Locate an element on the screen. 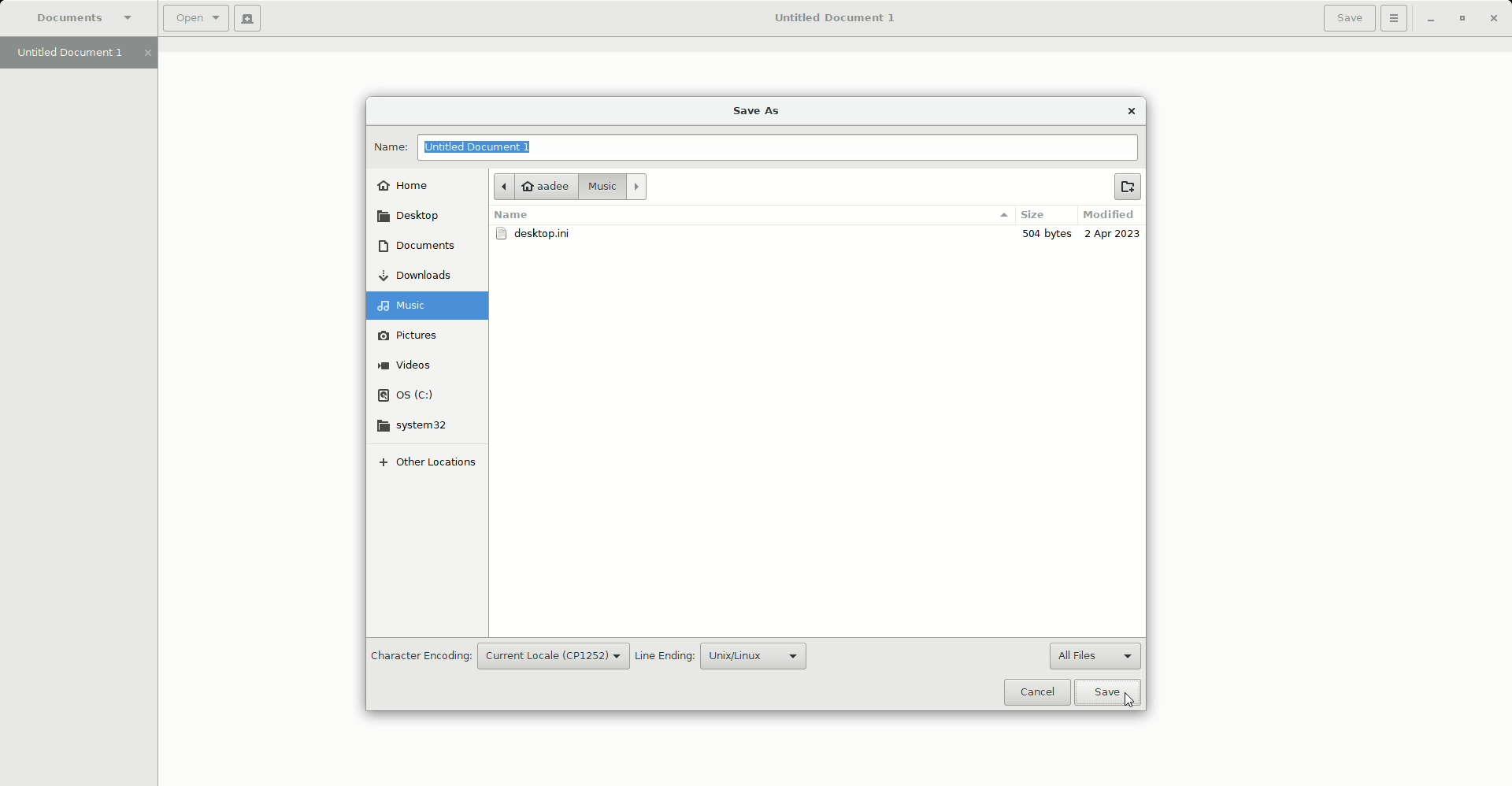  Other locations is located at coordinates (421, 462).